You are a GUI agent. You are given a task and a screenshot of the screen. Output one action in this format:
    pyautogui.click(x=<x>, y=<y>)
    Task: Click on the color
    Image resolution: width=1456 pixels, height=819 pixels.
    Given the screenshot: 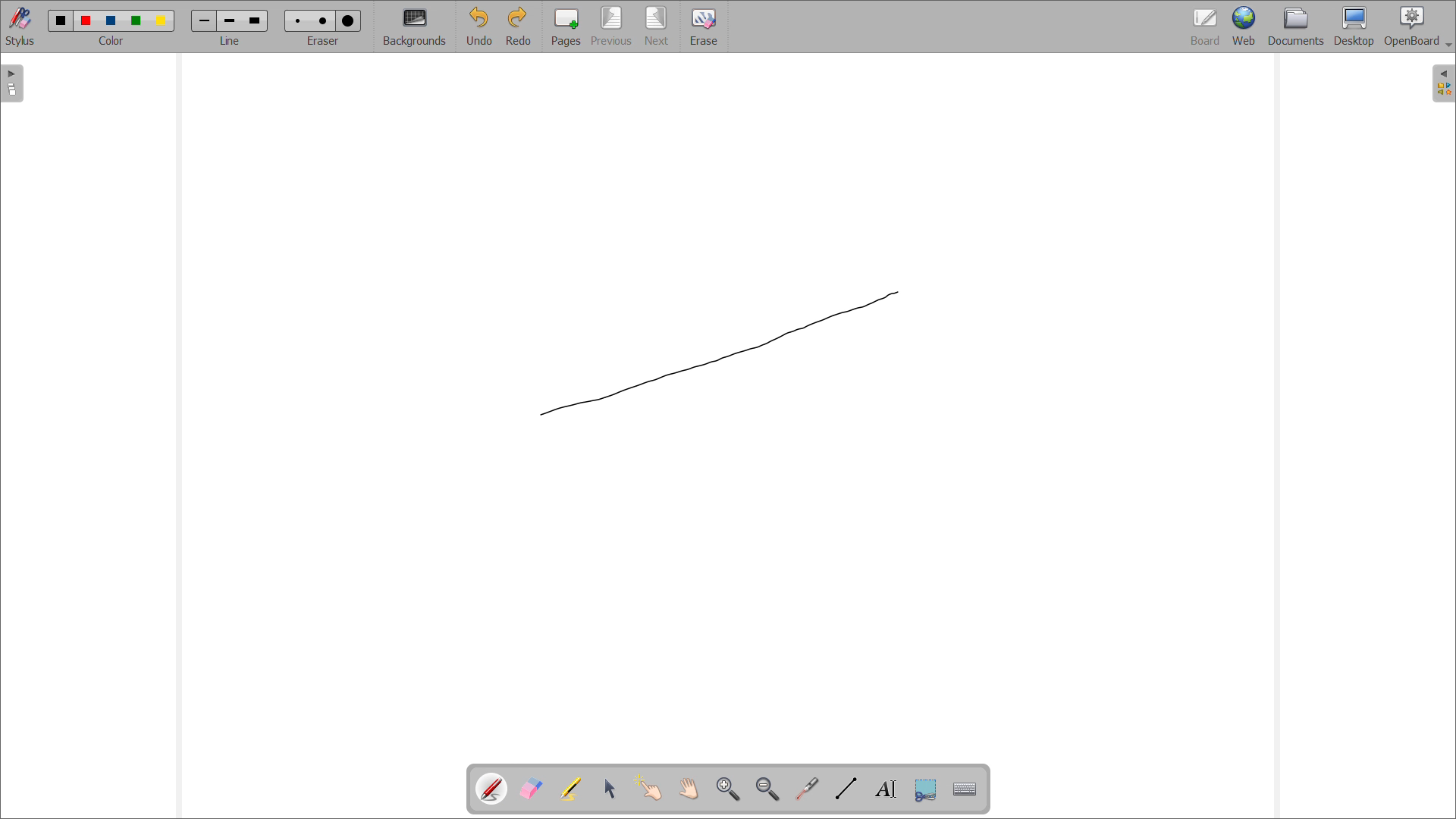 What is the action you would take?
    pyautogui.click(x=61, y=20)
    